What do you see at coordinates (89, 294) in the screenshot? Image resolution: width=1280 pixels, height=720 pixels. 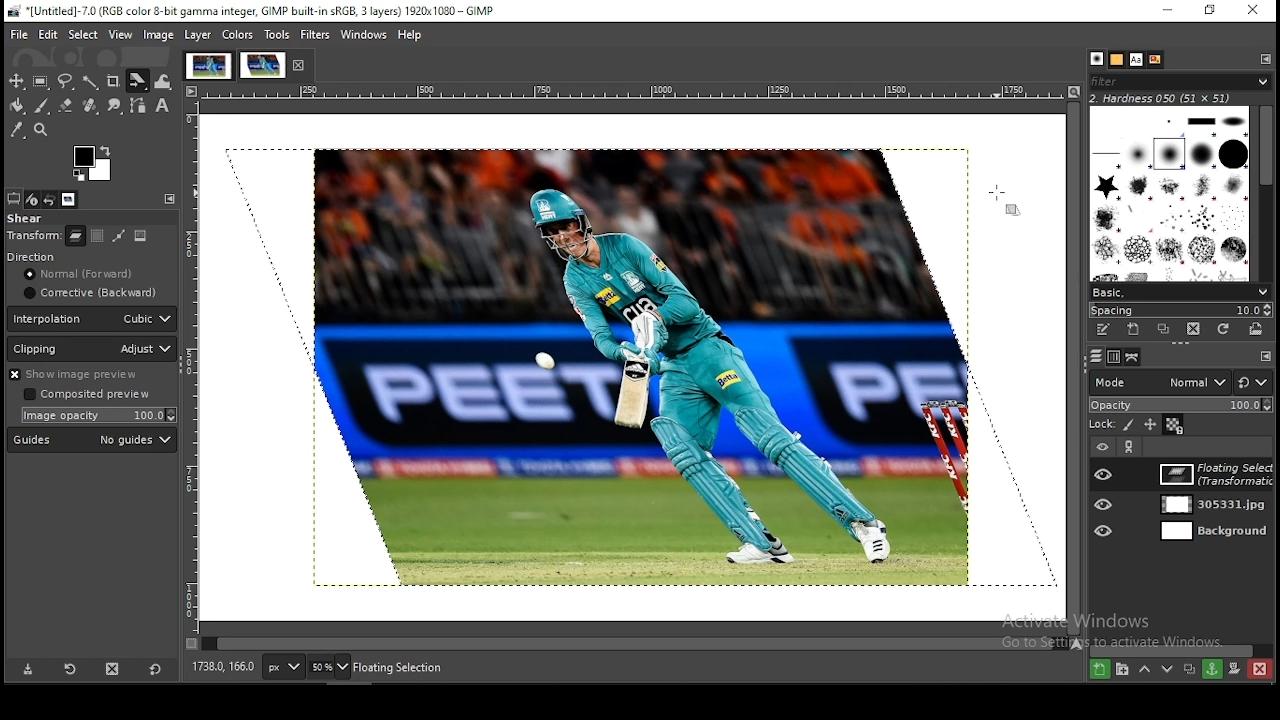 I see `corrective (backward)` at bounding box center [89, 294].